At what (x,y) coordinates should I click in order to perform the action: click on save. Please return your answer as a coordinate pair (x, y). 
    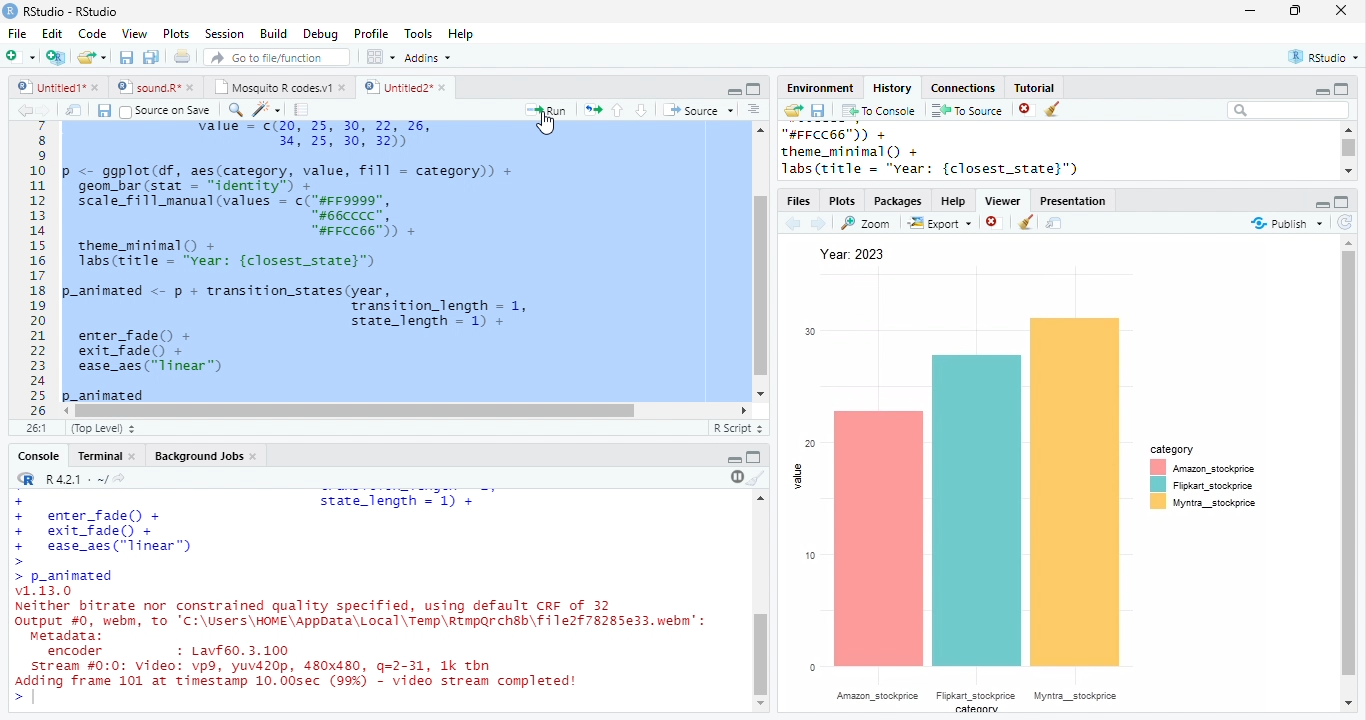
    Looking at the image, I should click on (104, 110).